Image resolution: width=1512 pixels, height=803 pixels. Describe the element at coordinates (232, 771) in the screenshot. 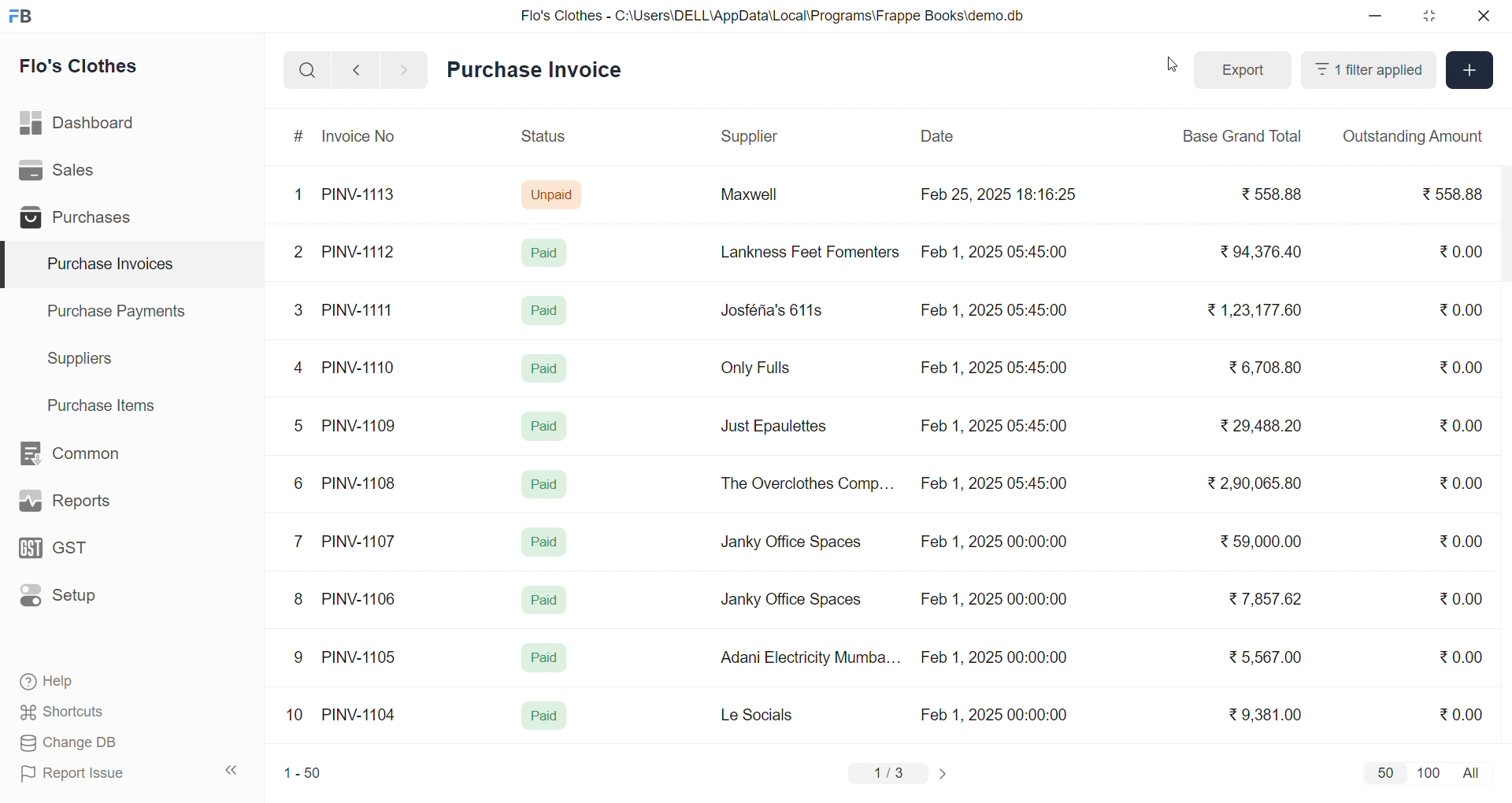

I see `collapse sidebar` at that location.